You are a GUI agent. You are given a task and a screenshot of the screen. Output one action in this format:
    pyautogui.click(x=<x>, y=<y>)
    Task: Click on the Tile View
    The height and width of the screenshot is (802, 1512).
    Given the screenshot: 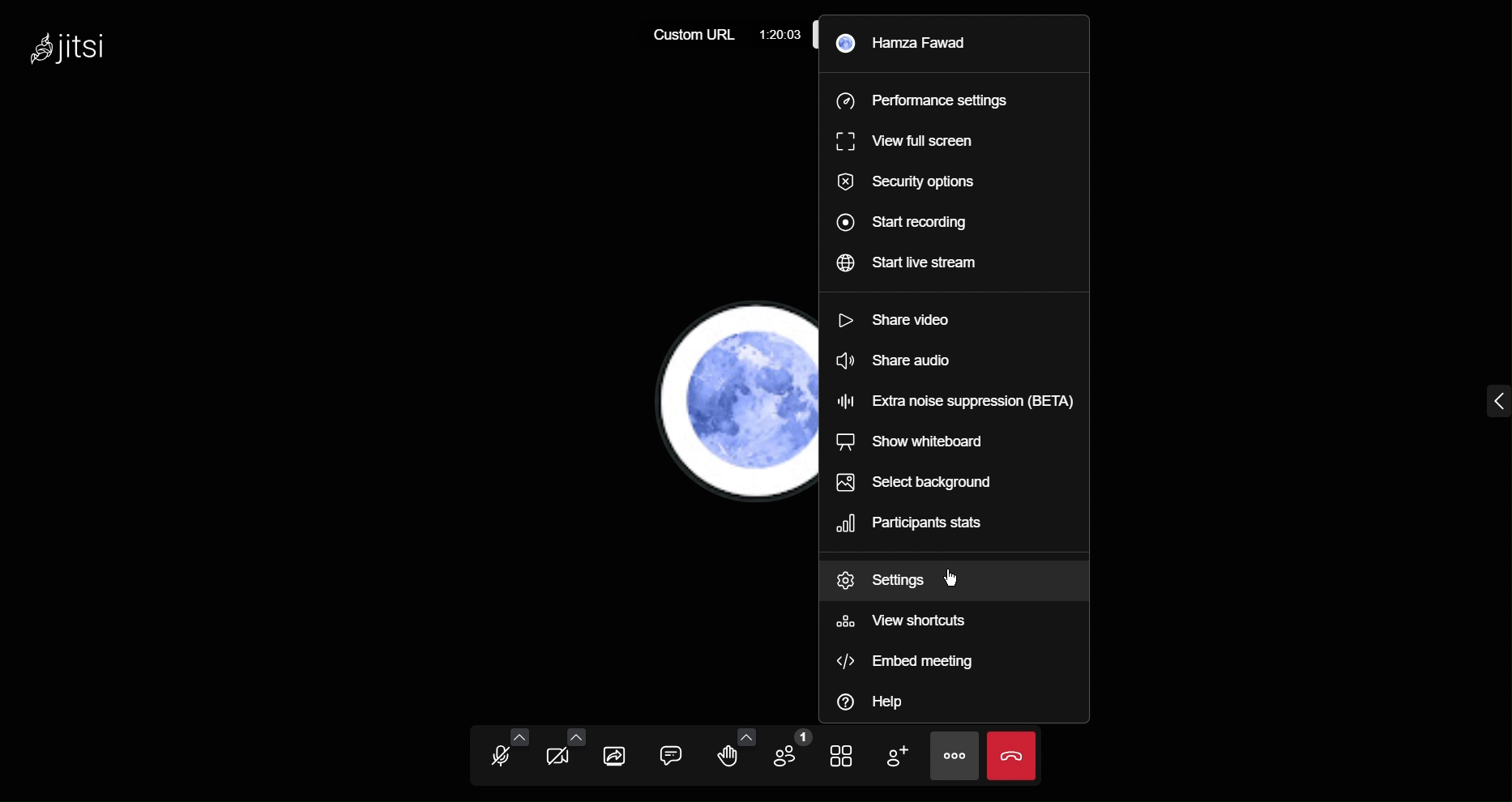 What is the action you would take?
    pyautogui.click(x=851, y=757)
    